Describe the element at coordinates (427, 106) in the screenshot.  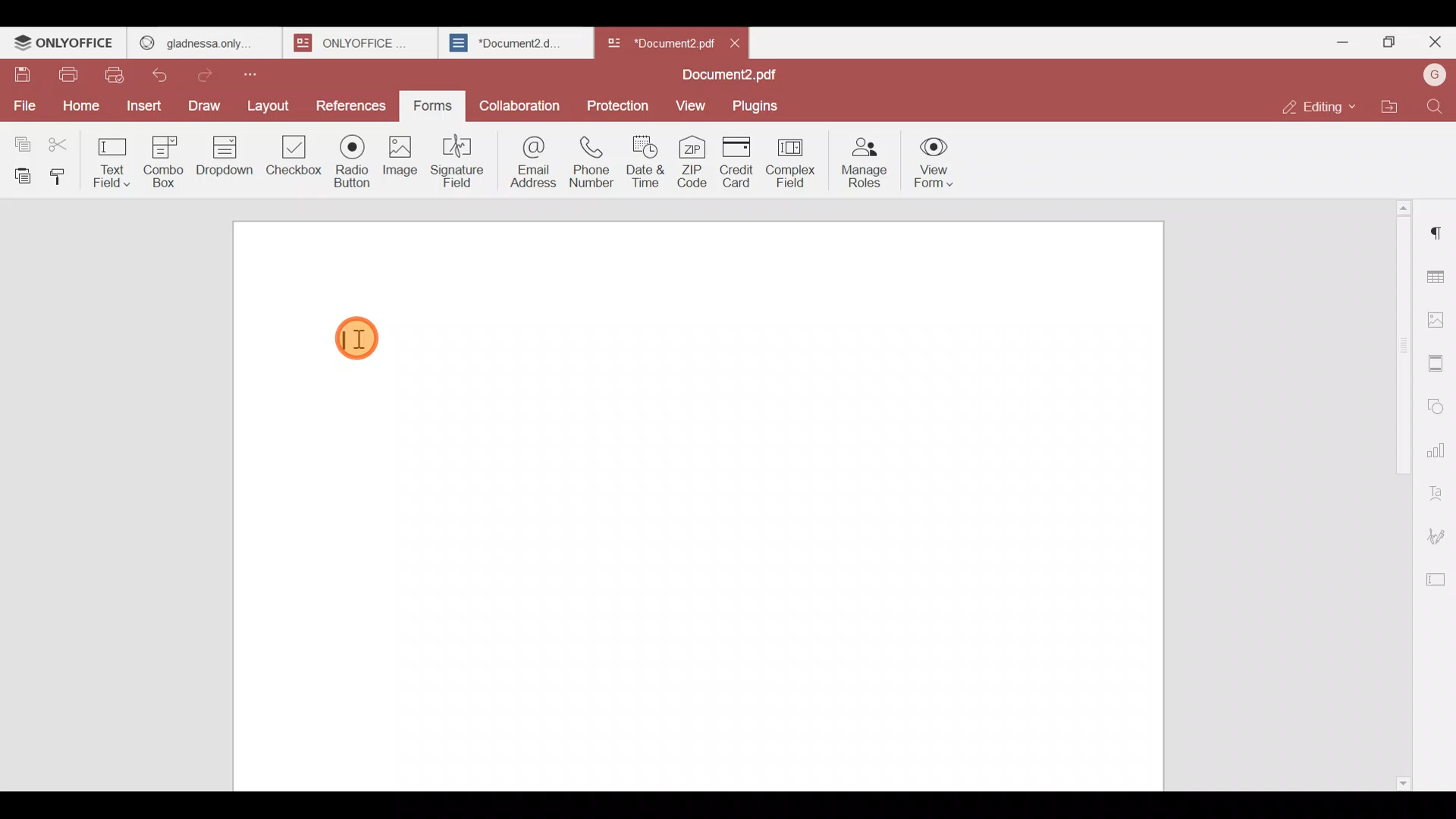
I see `Forms` at that location.